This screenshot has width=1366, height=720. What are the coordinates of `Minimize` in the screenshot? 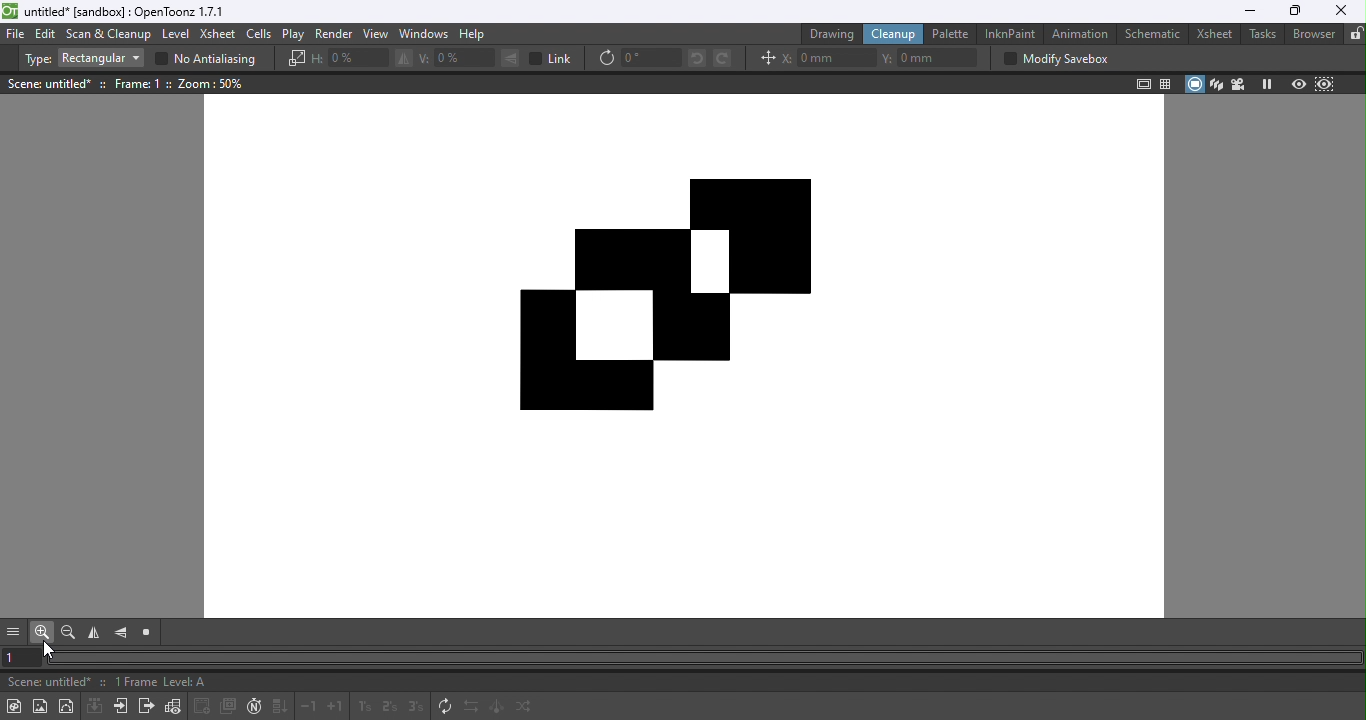 It's located at (1251, 12).